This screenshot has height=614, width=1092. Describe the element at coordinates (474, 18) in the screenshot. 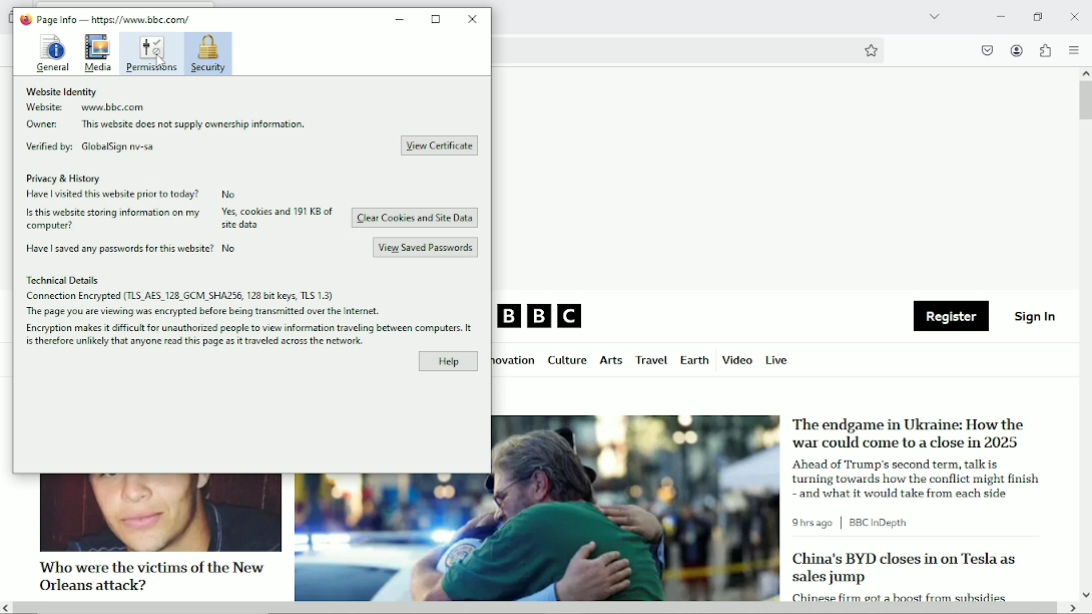

I see `close` at that location.